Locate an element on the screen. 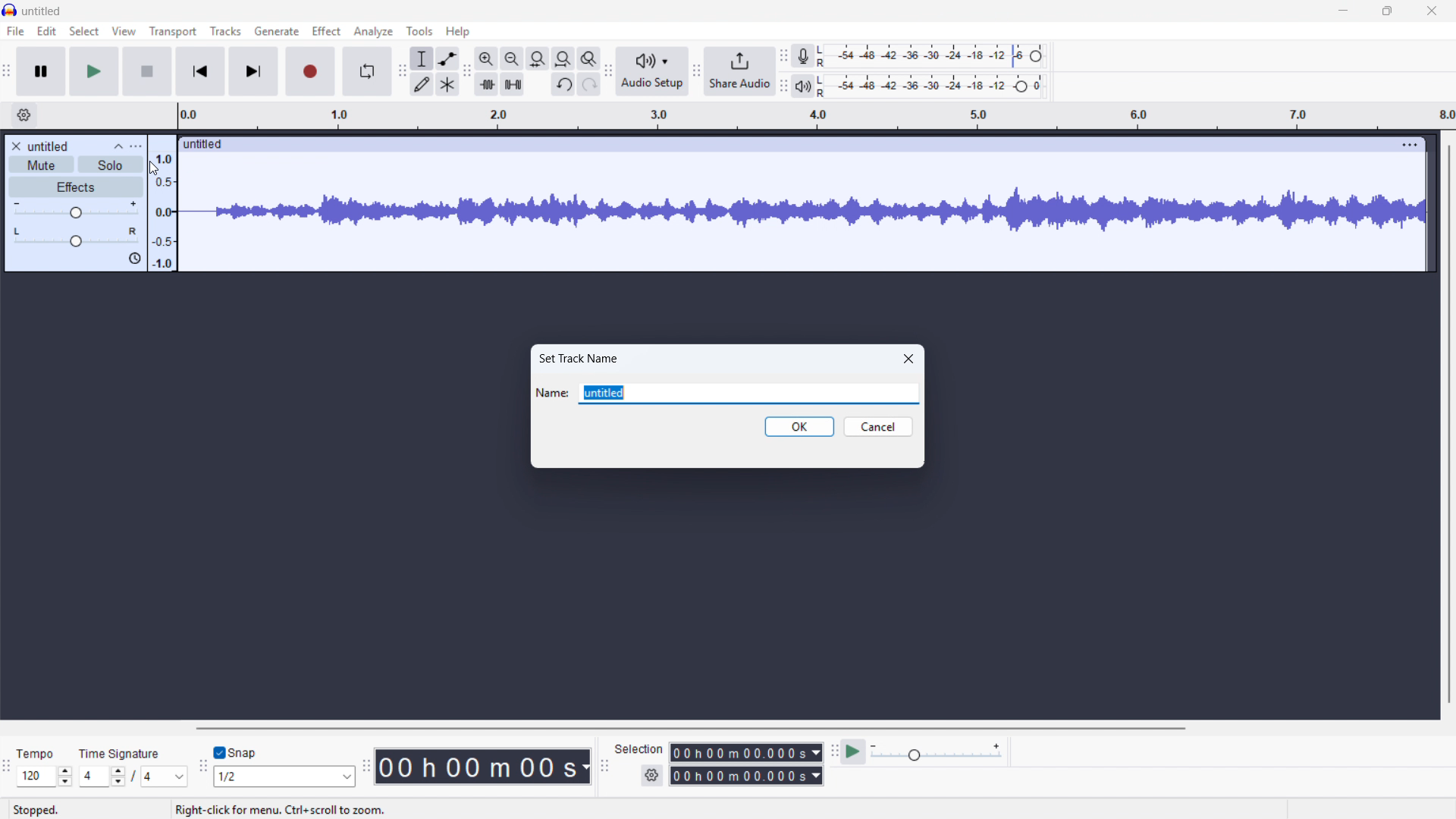  Amplitude  is located at coordinates (161, 202).